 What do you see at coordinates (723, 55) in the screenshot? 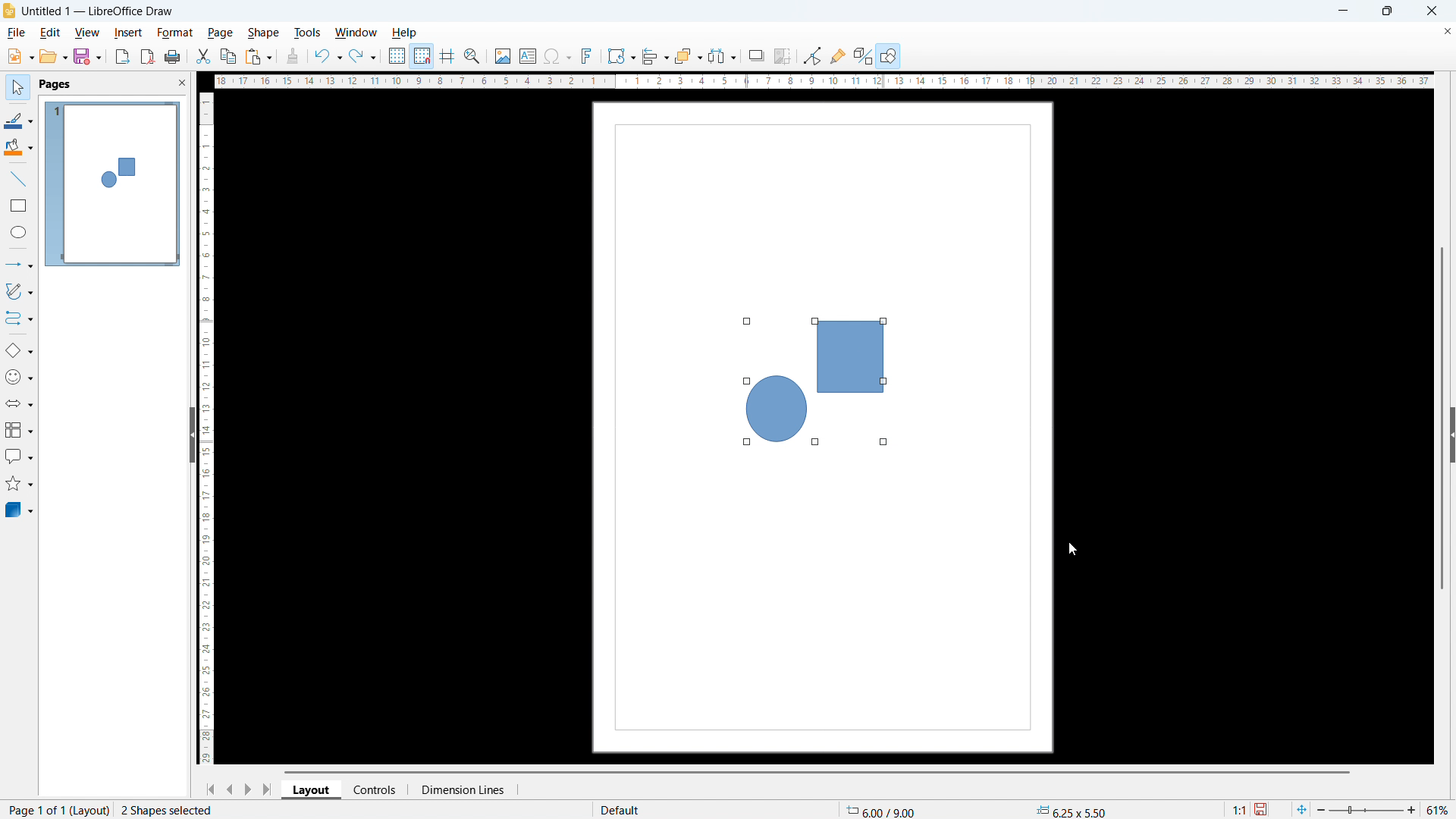
I see `select at least 3 objects to distribute` at bounding box center [723, 55].